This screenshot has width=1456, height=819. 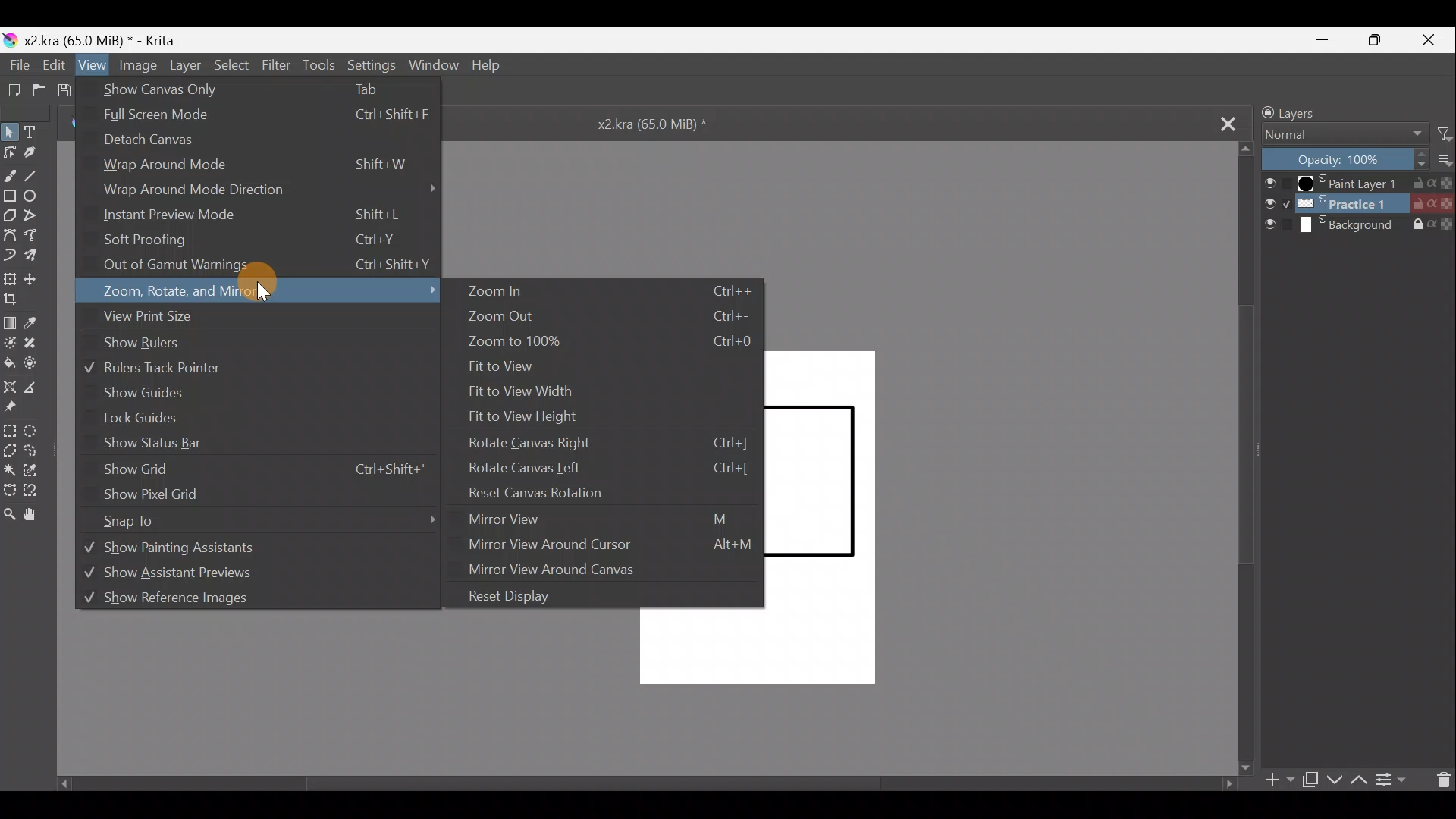 I want to click on Transform a layer/selection, so click(x=11, y=280).